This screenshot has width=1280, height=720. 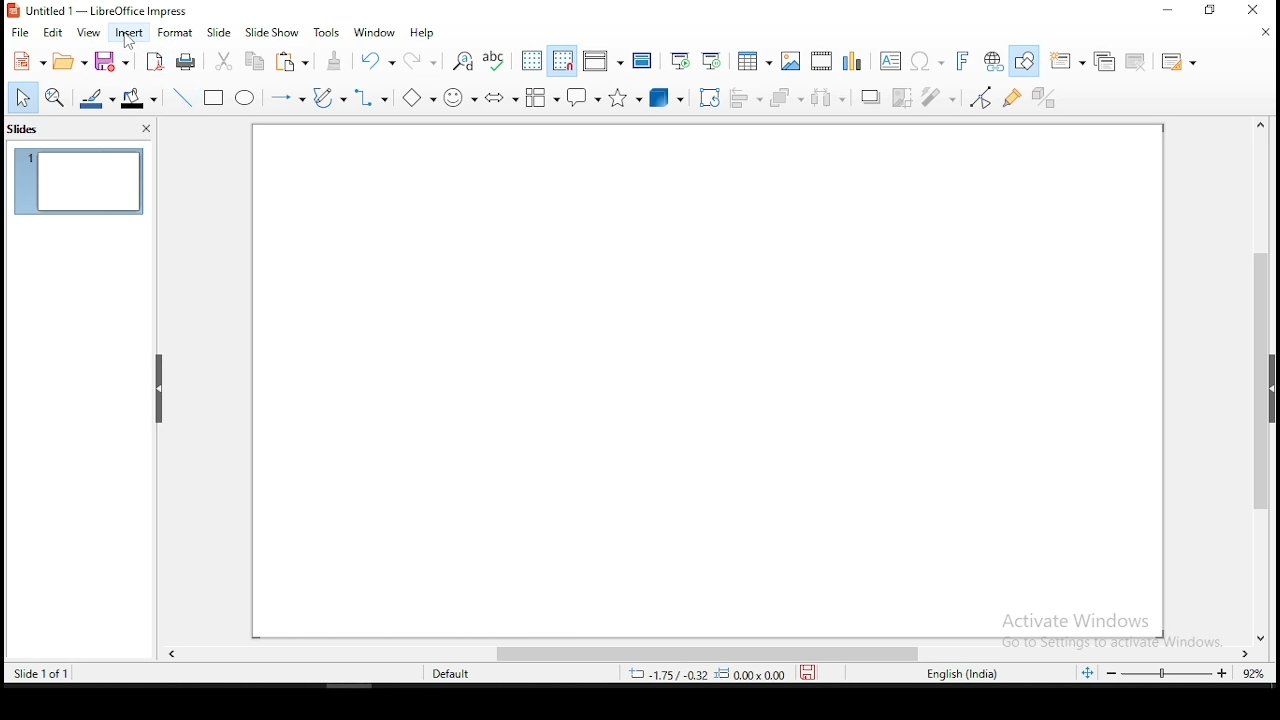 I want to click on scoll left, so click(x=172, y=655).